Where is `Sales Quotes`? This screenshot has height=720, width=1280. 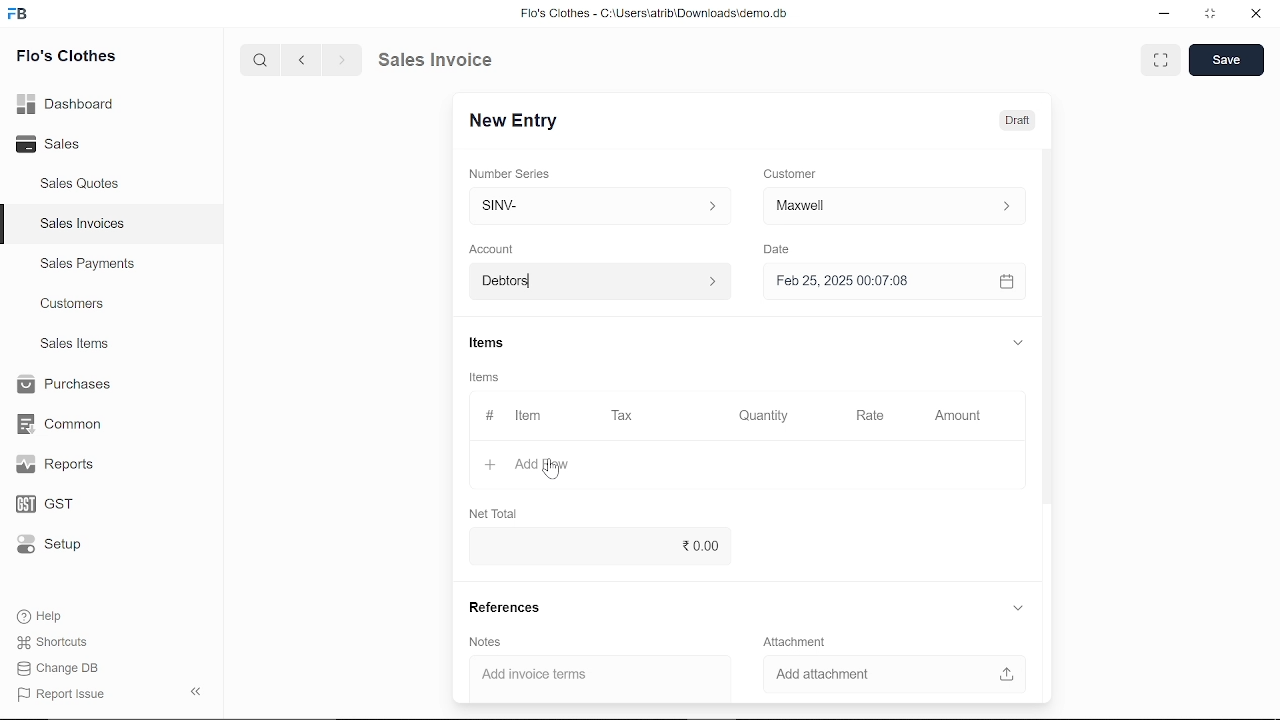
Sales Quotes is located at coordinates (82, 186).